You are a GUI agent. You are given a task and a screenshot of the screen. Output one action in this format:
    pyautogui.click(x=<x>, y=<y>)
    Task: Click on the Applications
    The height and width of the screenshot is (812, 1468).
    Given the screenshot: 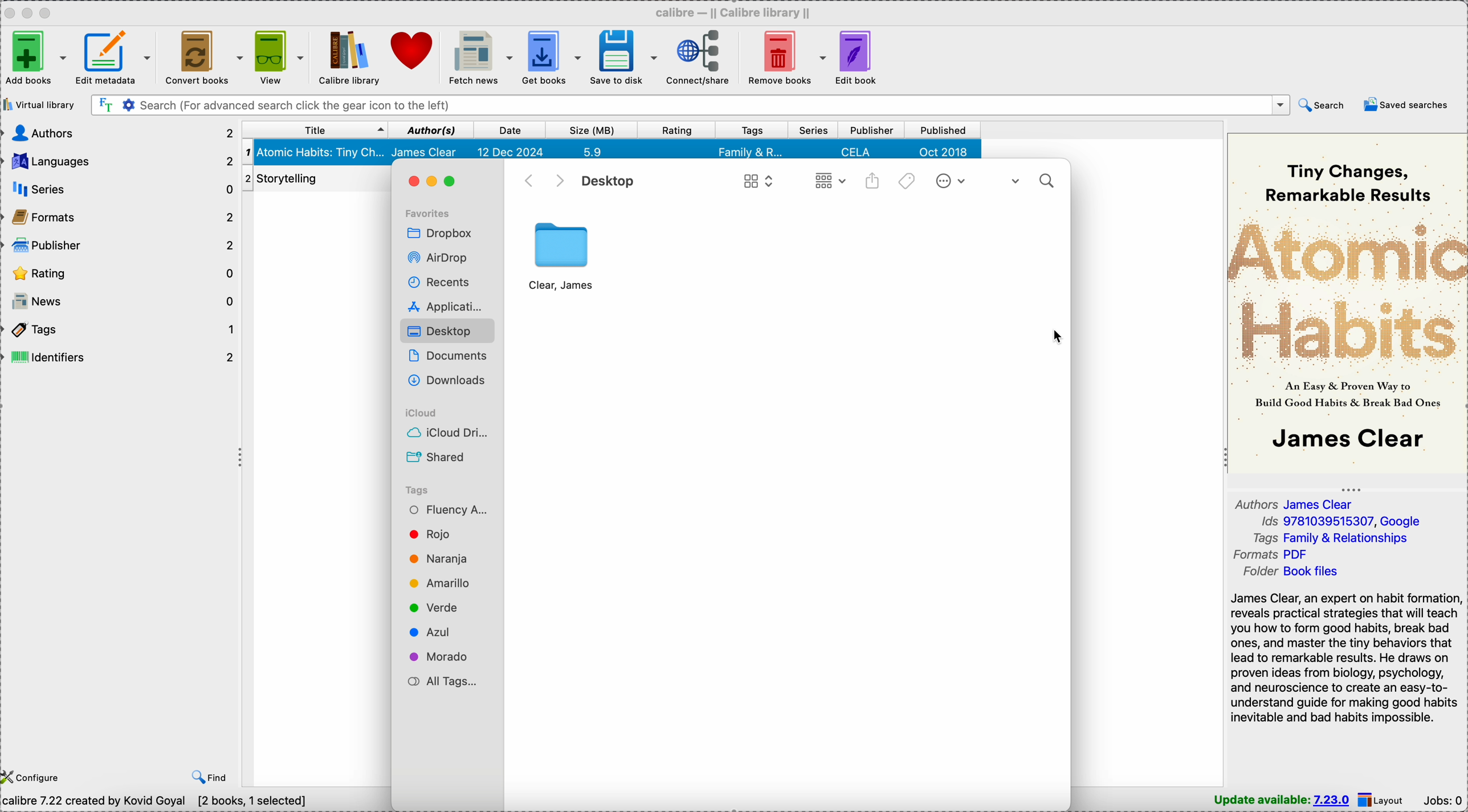 What is the action you would take?
    pyautogui.click(x=446, y=305)
    